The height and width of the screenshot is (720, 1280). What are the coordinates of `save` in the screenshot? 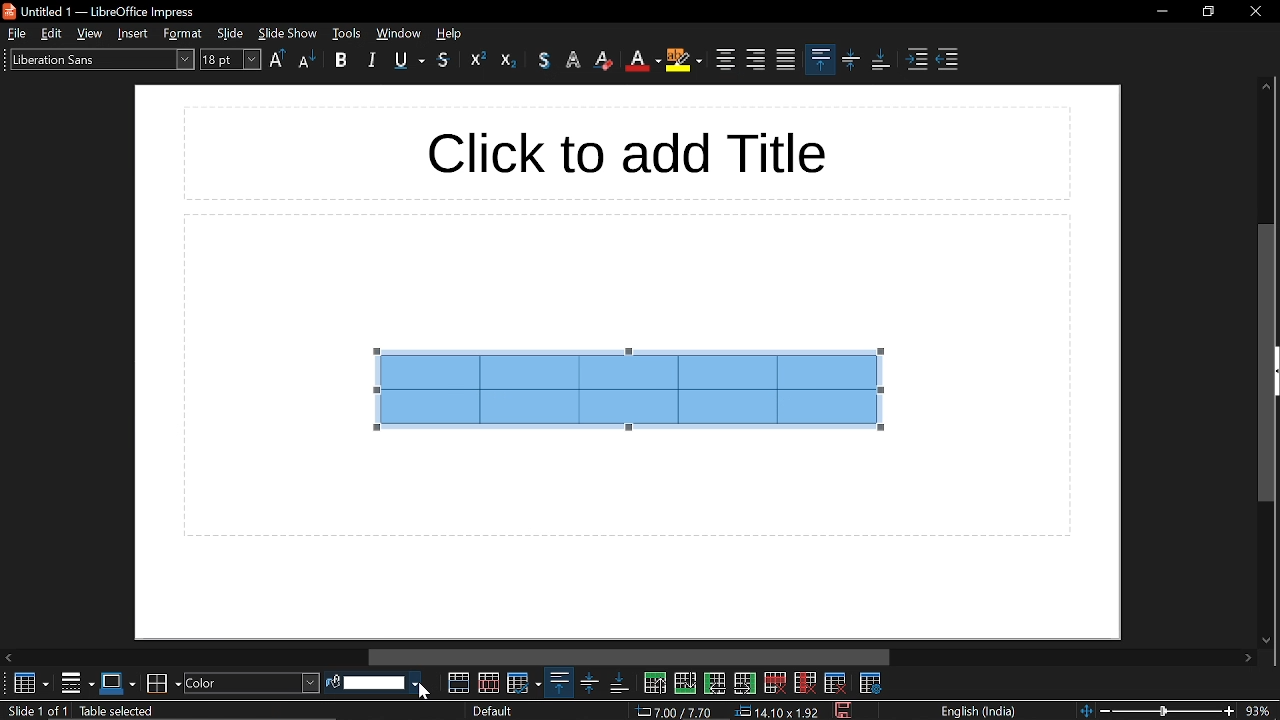 It's located at (842, 709).